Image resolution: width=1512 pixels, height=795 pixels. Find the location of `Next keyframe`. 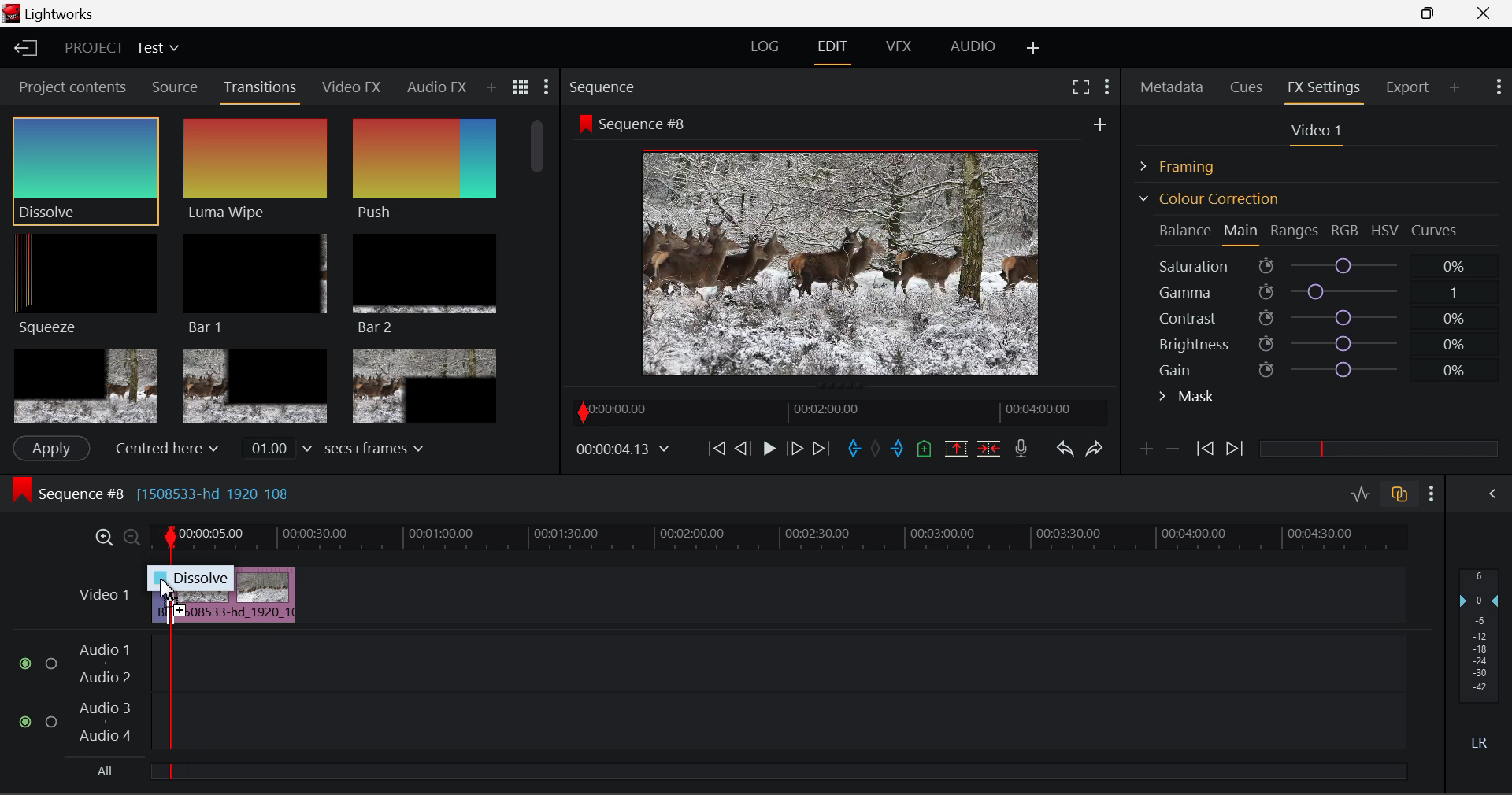

Next keyframe is located at coordinates (1236, 449).